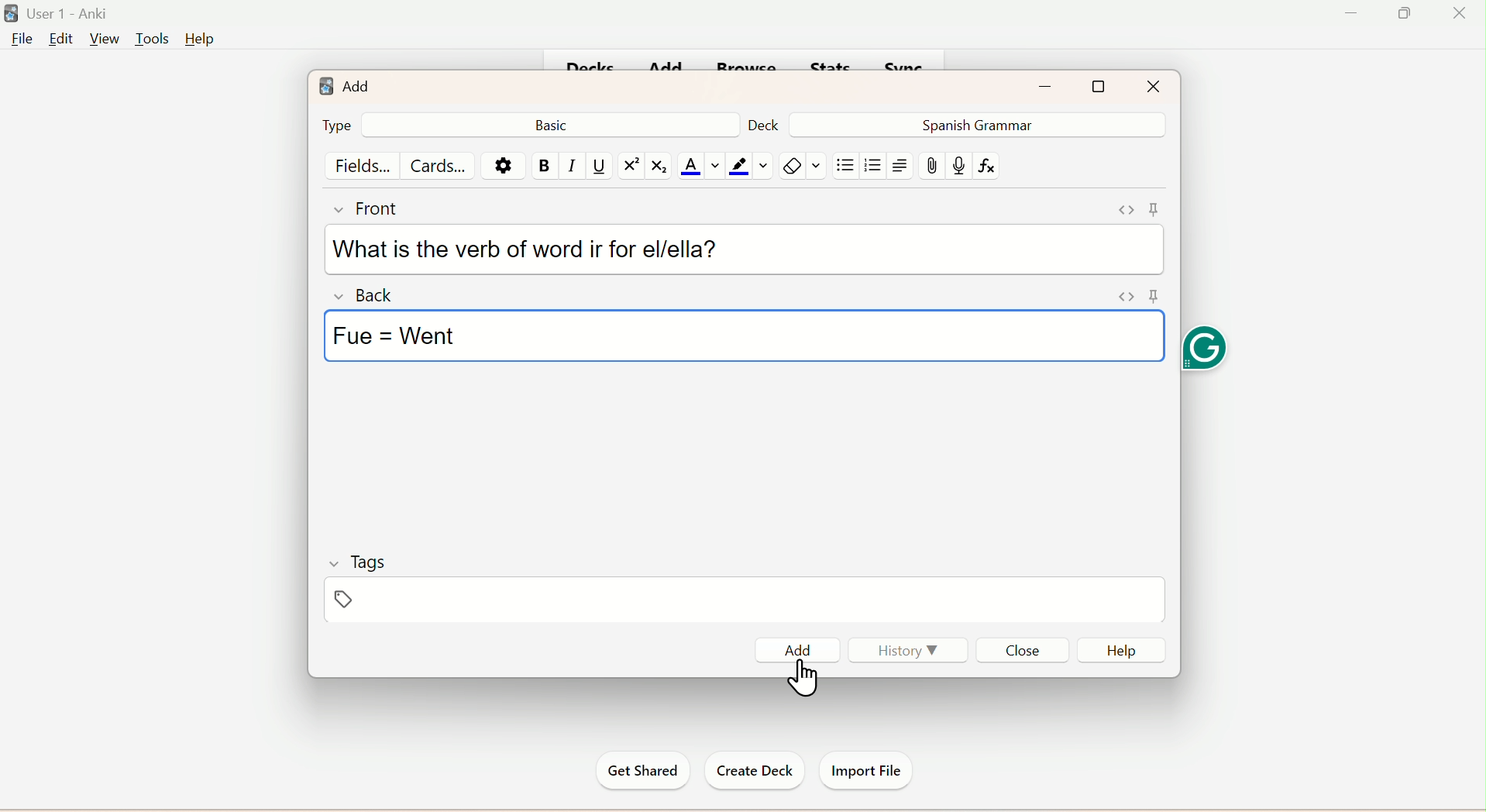  I want to click on History, so click(910, 654).